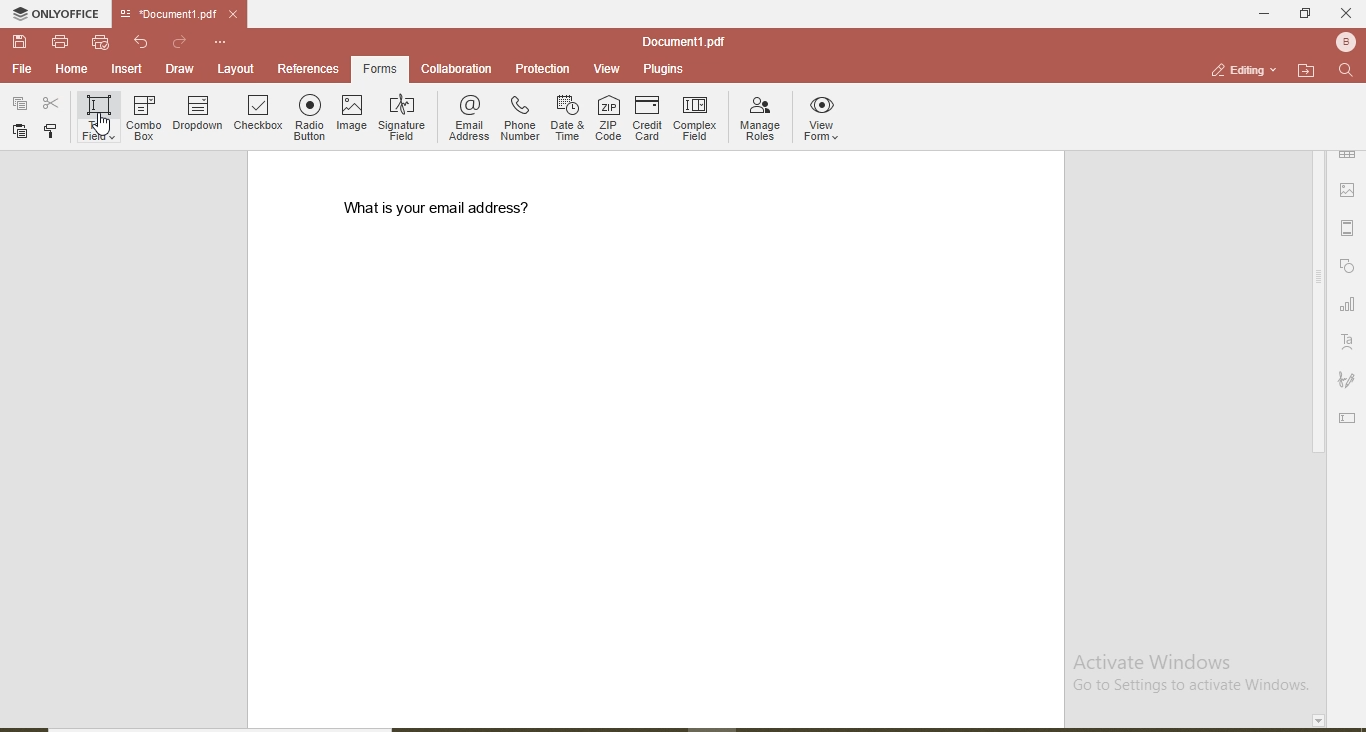 The height and width of the screenshot is (732, 1366). Describe the element at coordinates (222, 41) in the screenshot. I see `customise quick access toolbar` at that location.